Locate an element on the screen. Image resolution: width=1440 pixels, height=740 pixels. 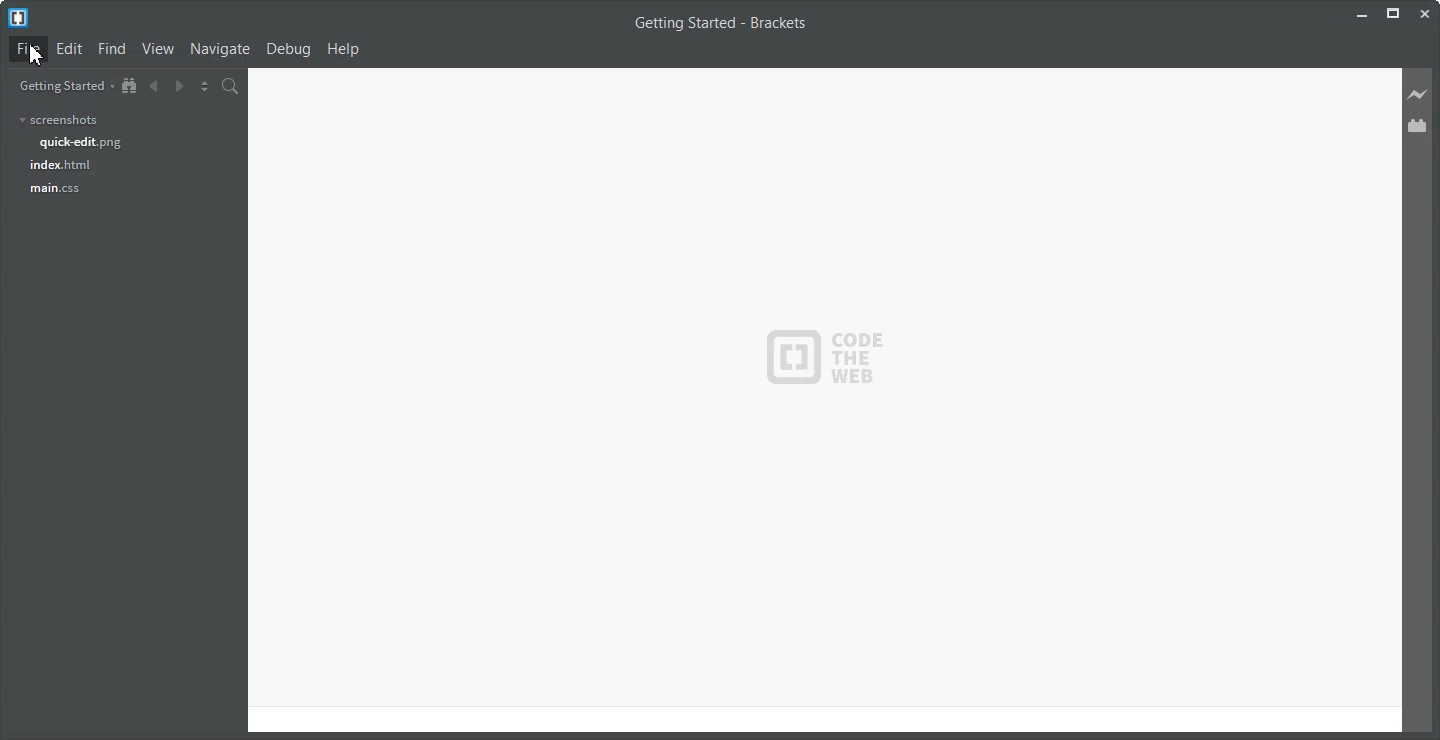
cursor is located at coordinates (36, 56).